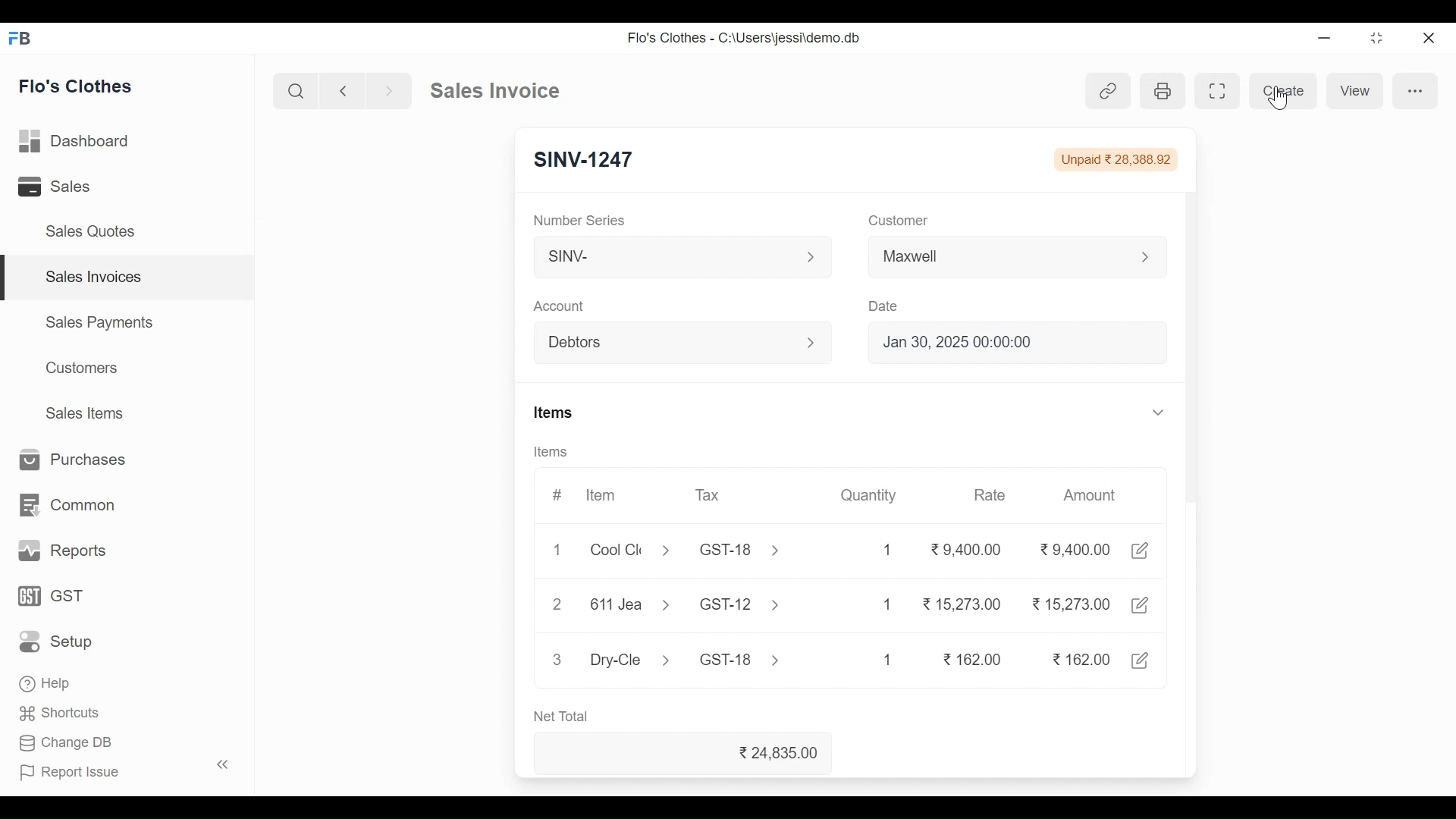 This screenshot has height=819, width=1456. Describe the element at coordinates (1221, 90) in the screenshot. I see `Toggle between form and full width` at that location.